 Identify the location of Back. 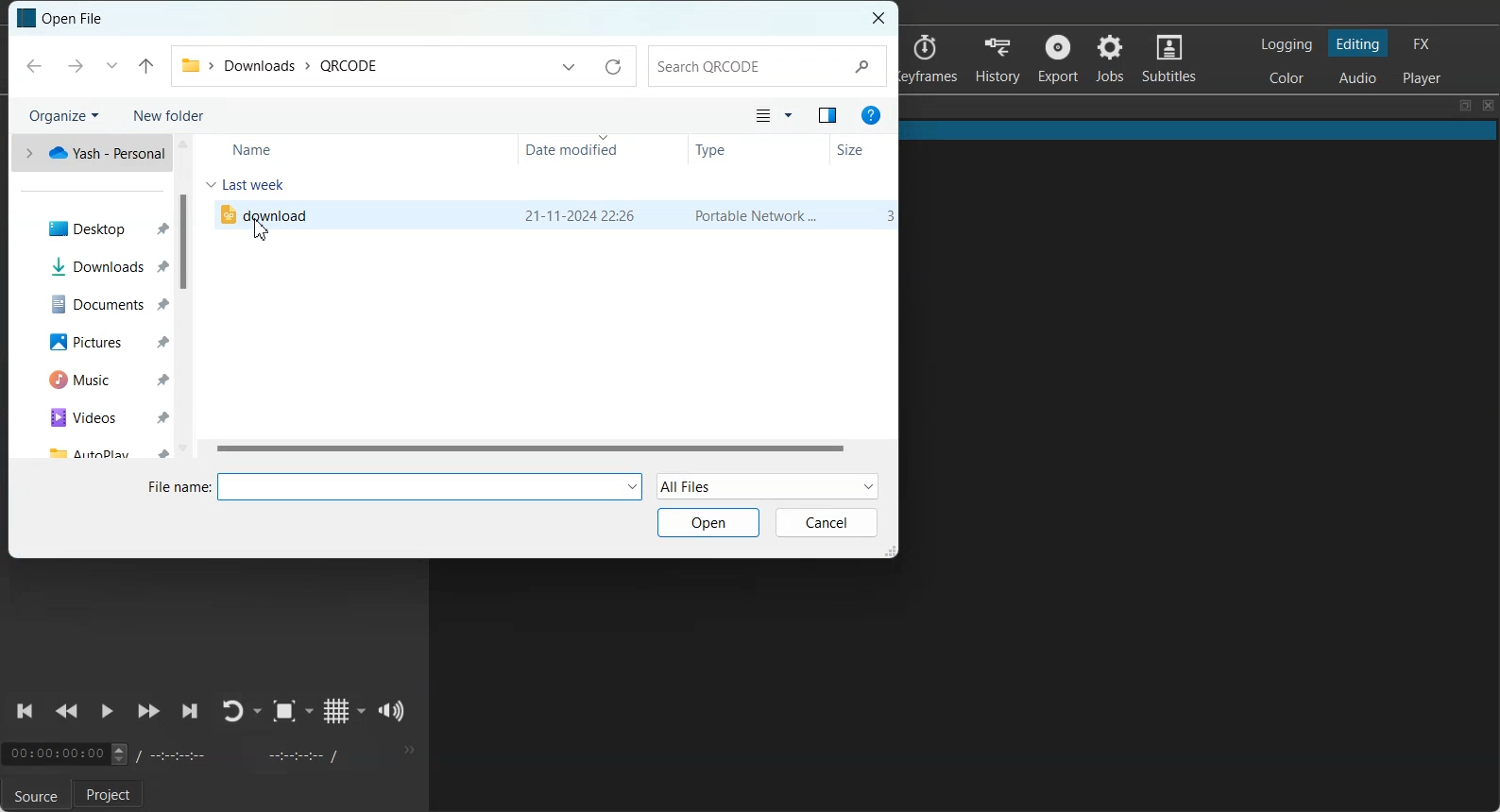
(33, 66).